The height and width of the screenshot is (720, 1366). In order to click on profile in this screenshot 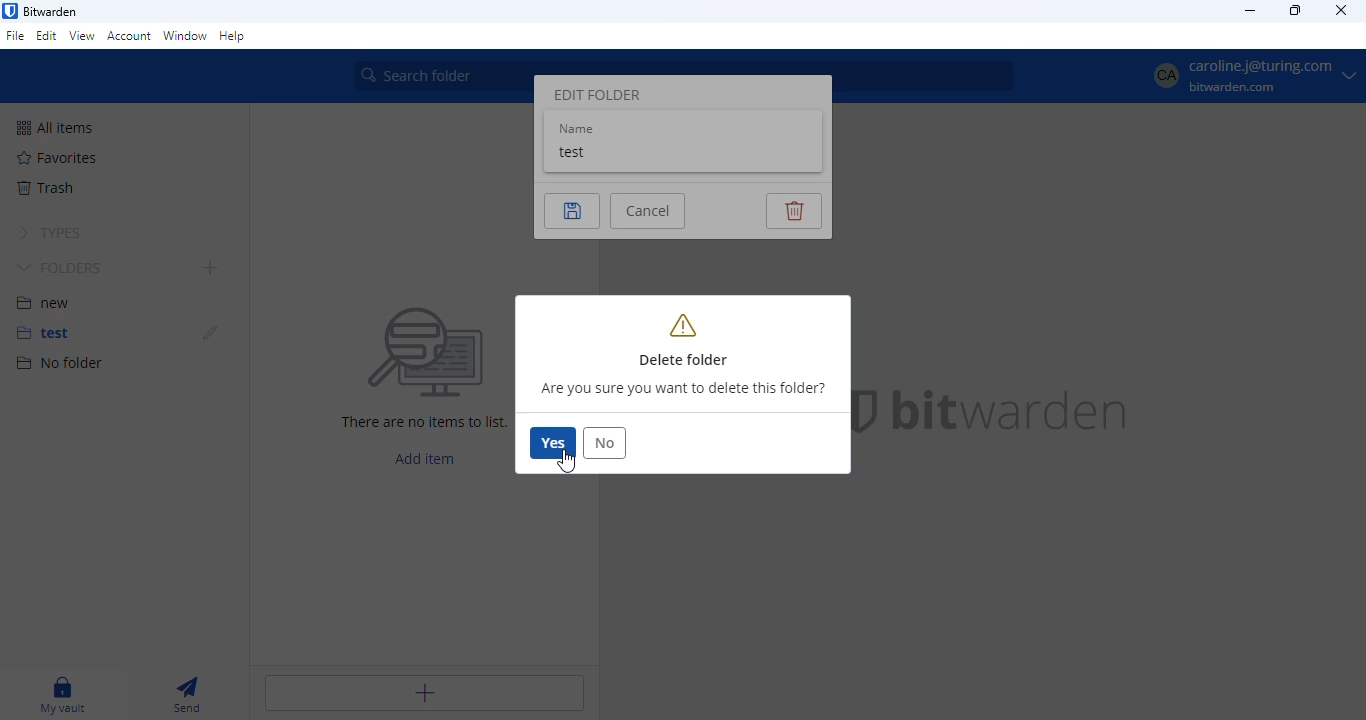, I will do `click(1242, 78)`.